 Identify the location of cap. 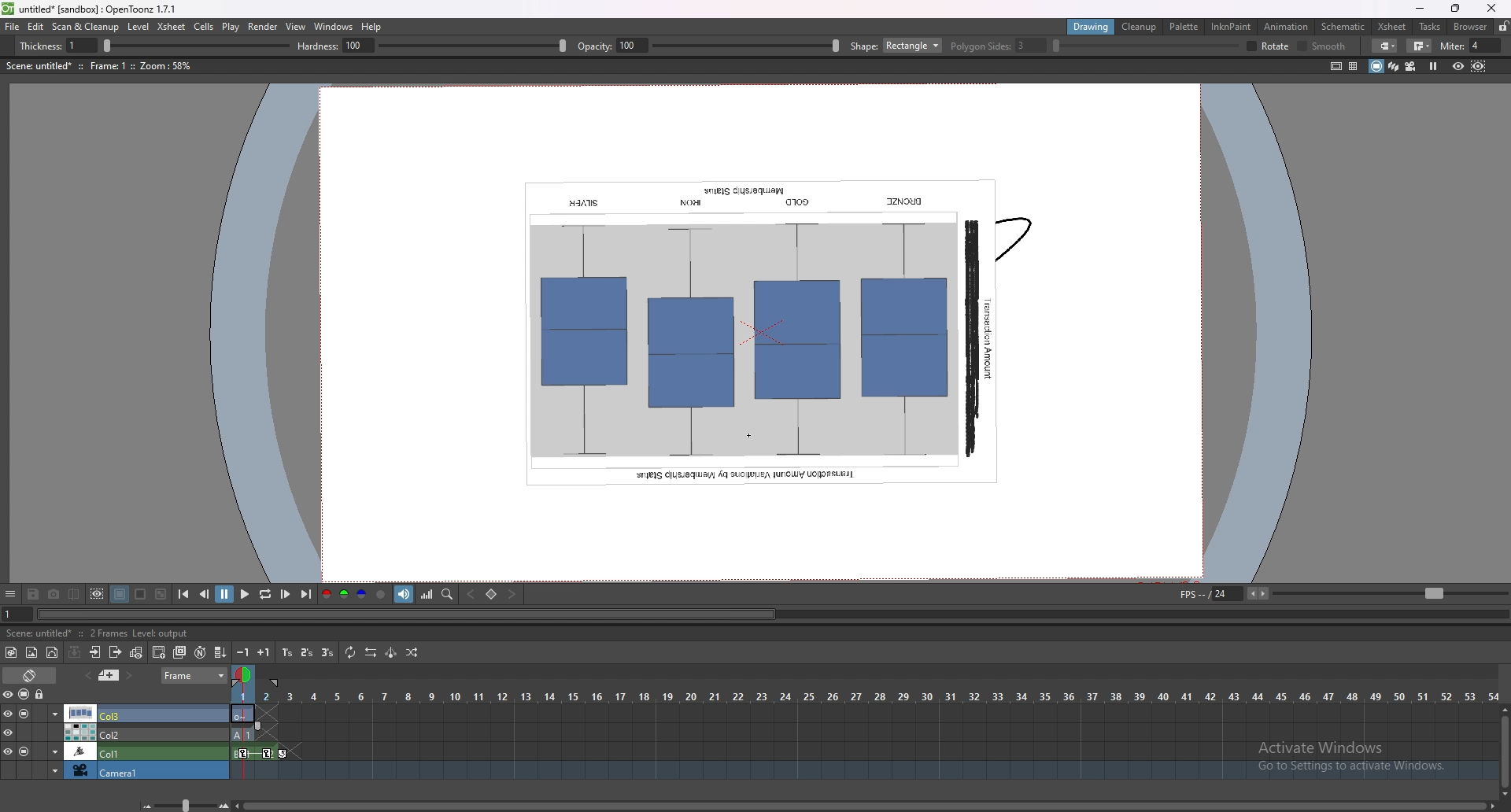
(1278, 46).